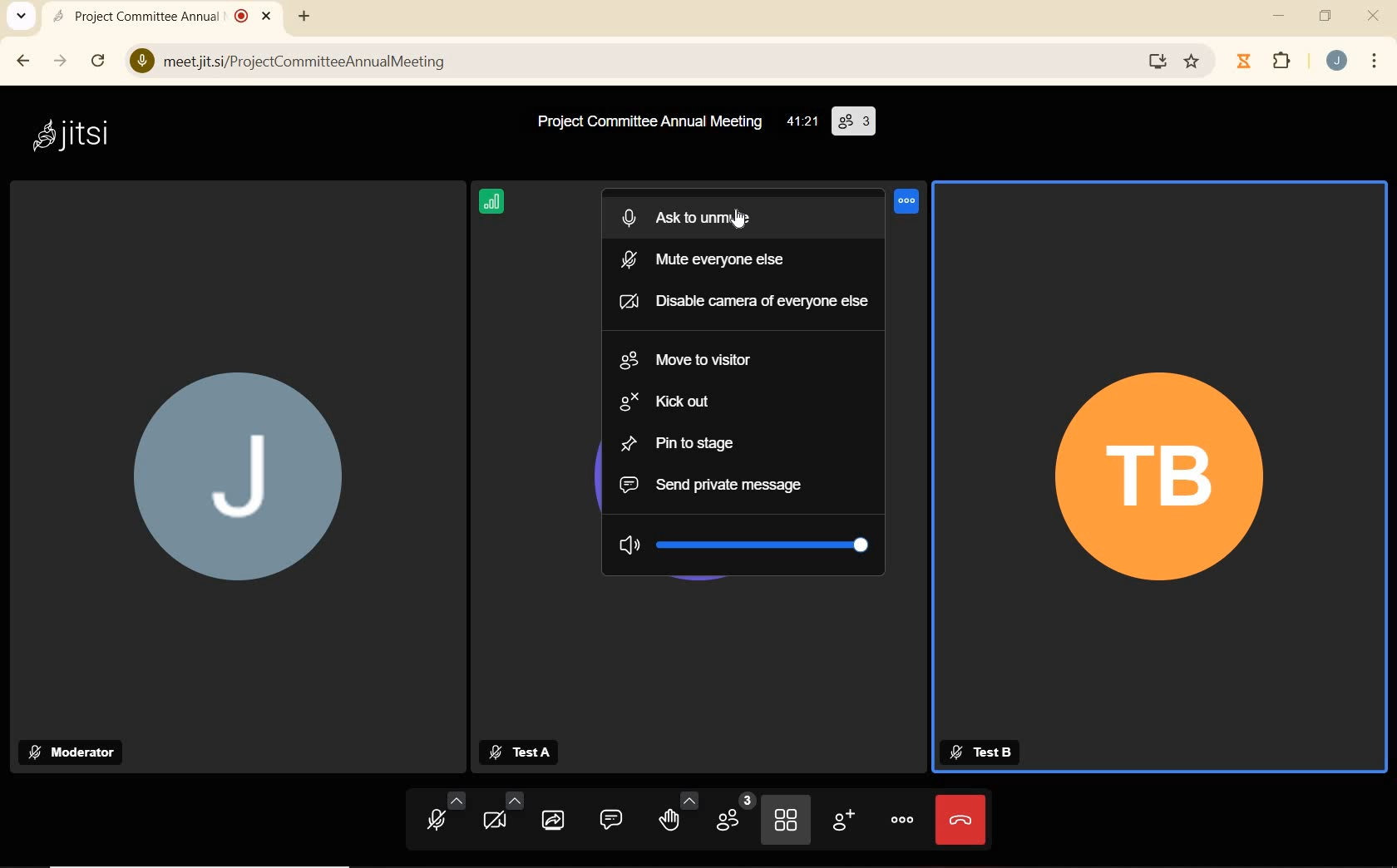  I want to click on MICROPHONE, so click(447, 815).